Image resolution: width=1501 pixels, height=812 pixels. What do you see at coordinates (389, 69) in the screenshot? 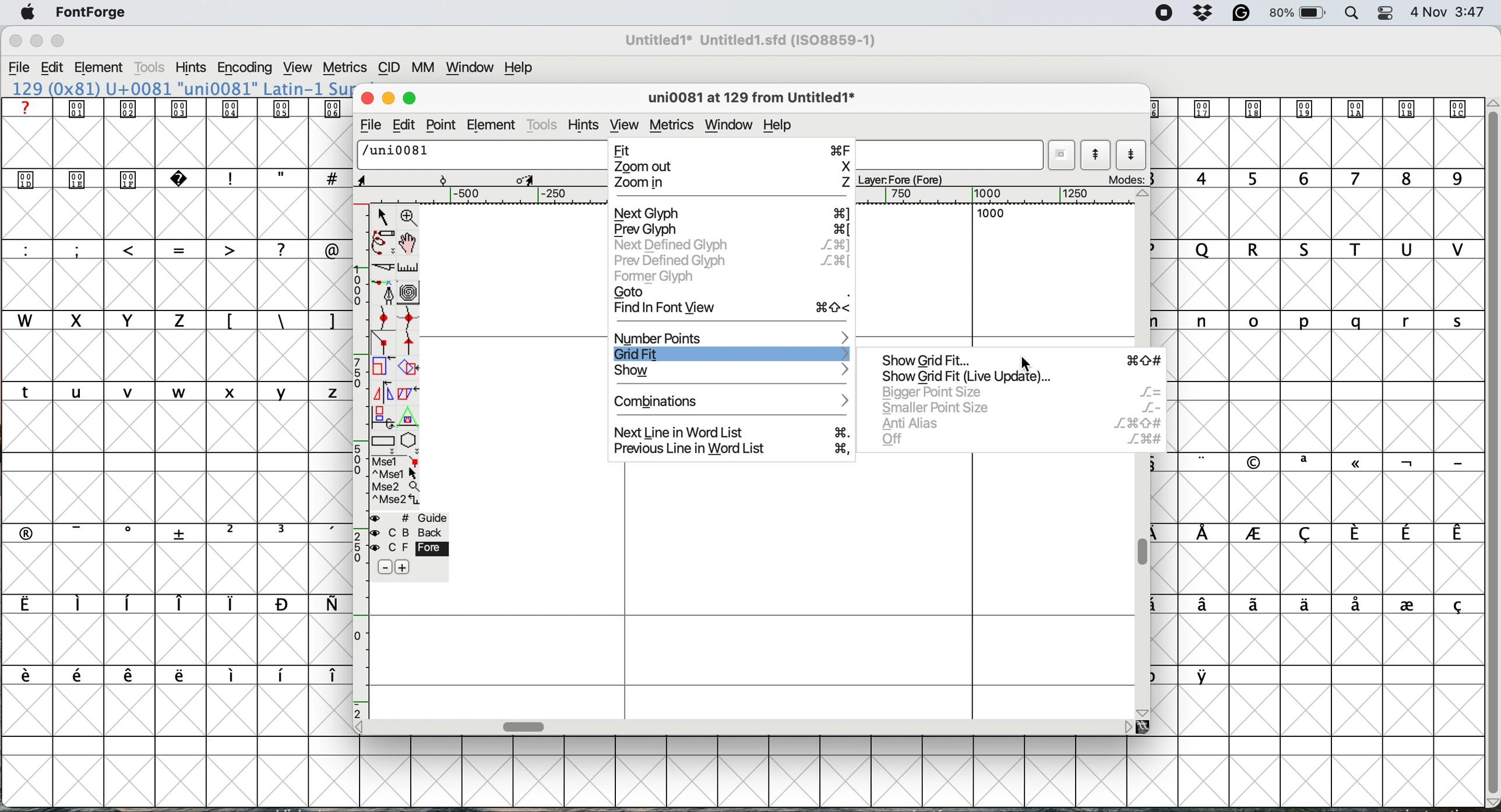
I see `CID` at bounding box center [389, 69].